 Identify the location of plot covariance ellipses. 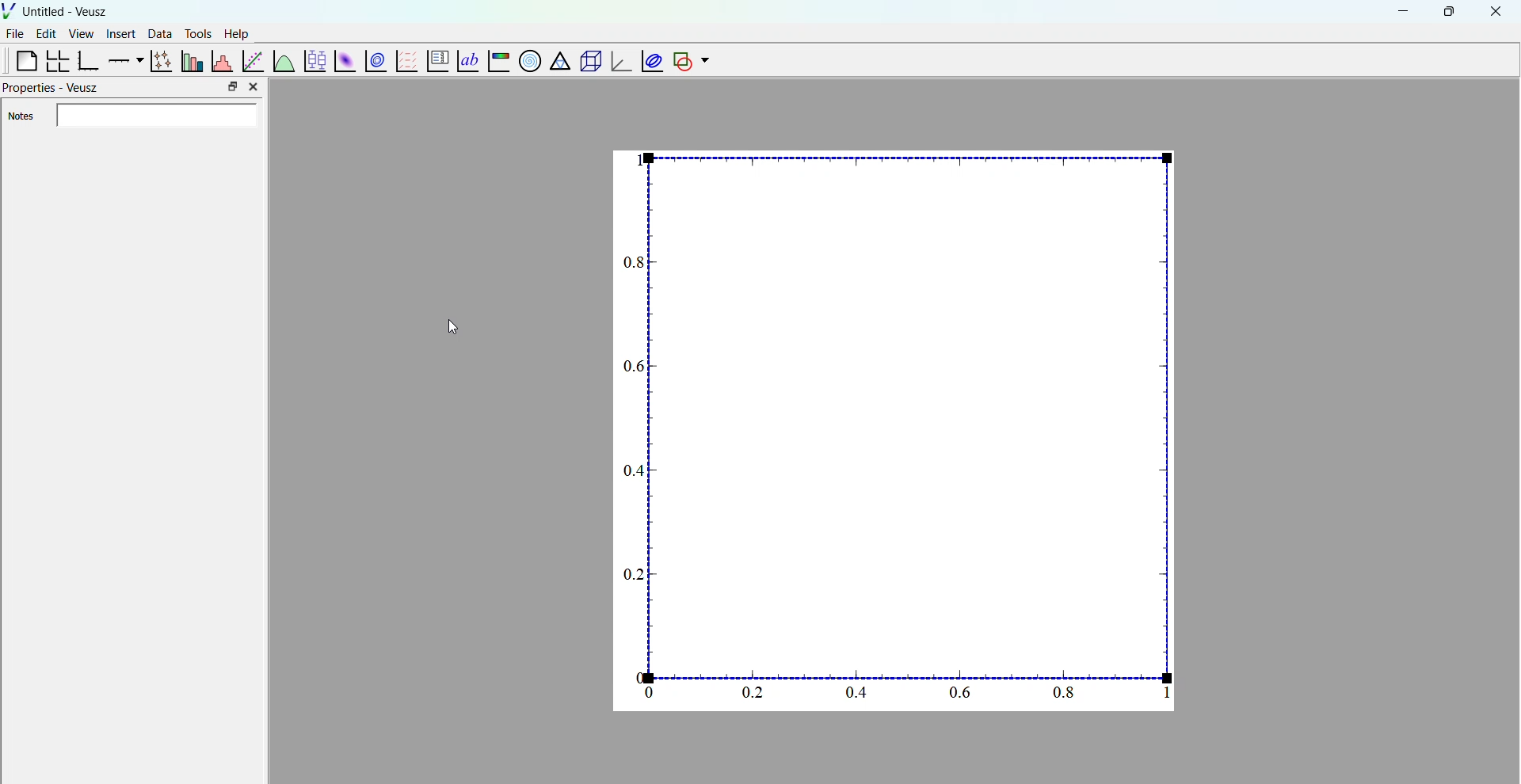
(650, 60).